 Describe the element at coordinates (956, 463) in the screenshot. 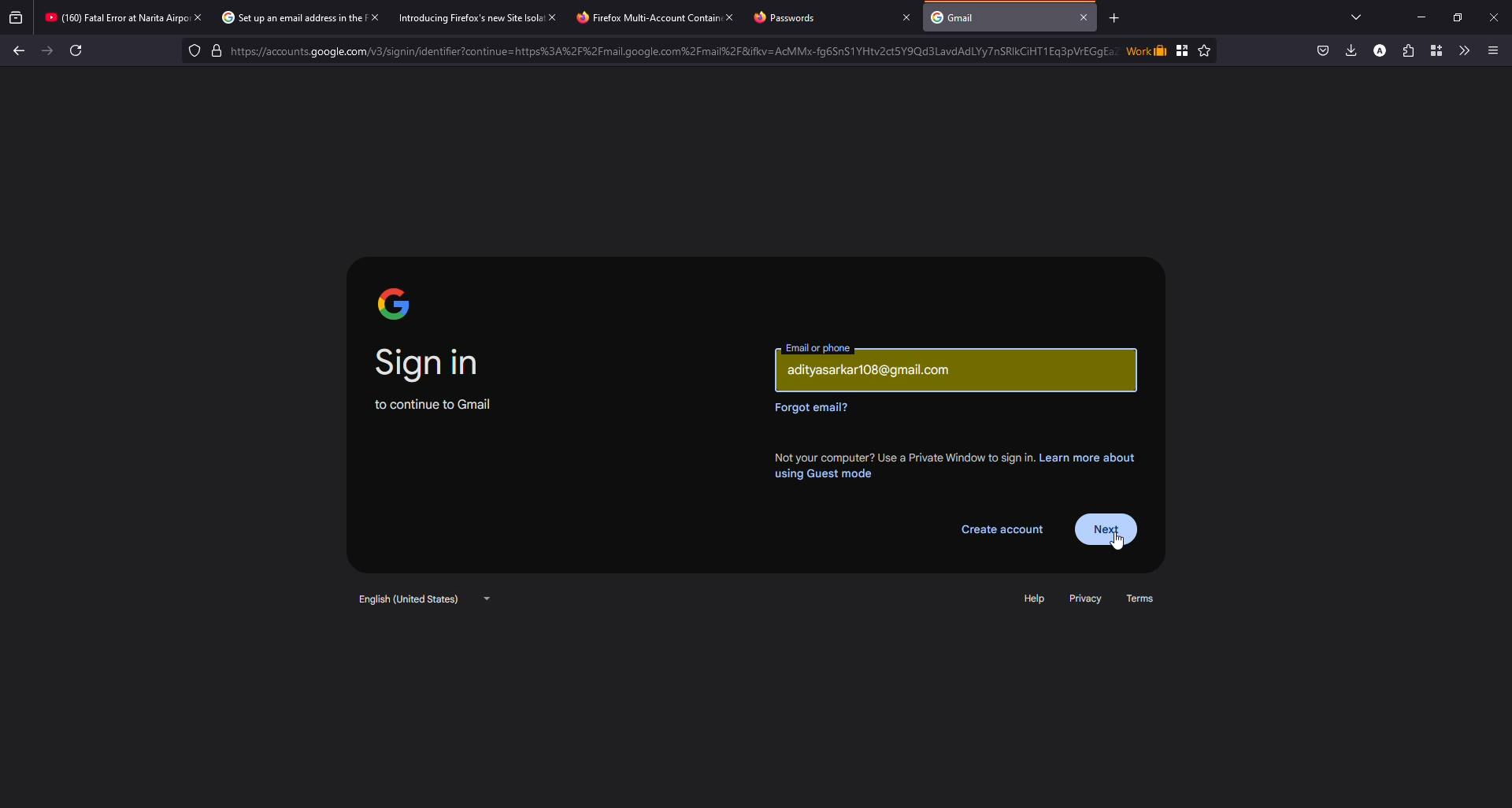

I see `learn more` at that location.